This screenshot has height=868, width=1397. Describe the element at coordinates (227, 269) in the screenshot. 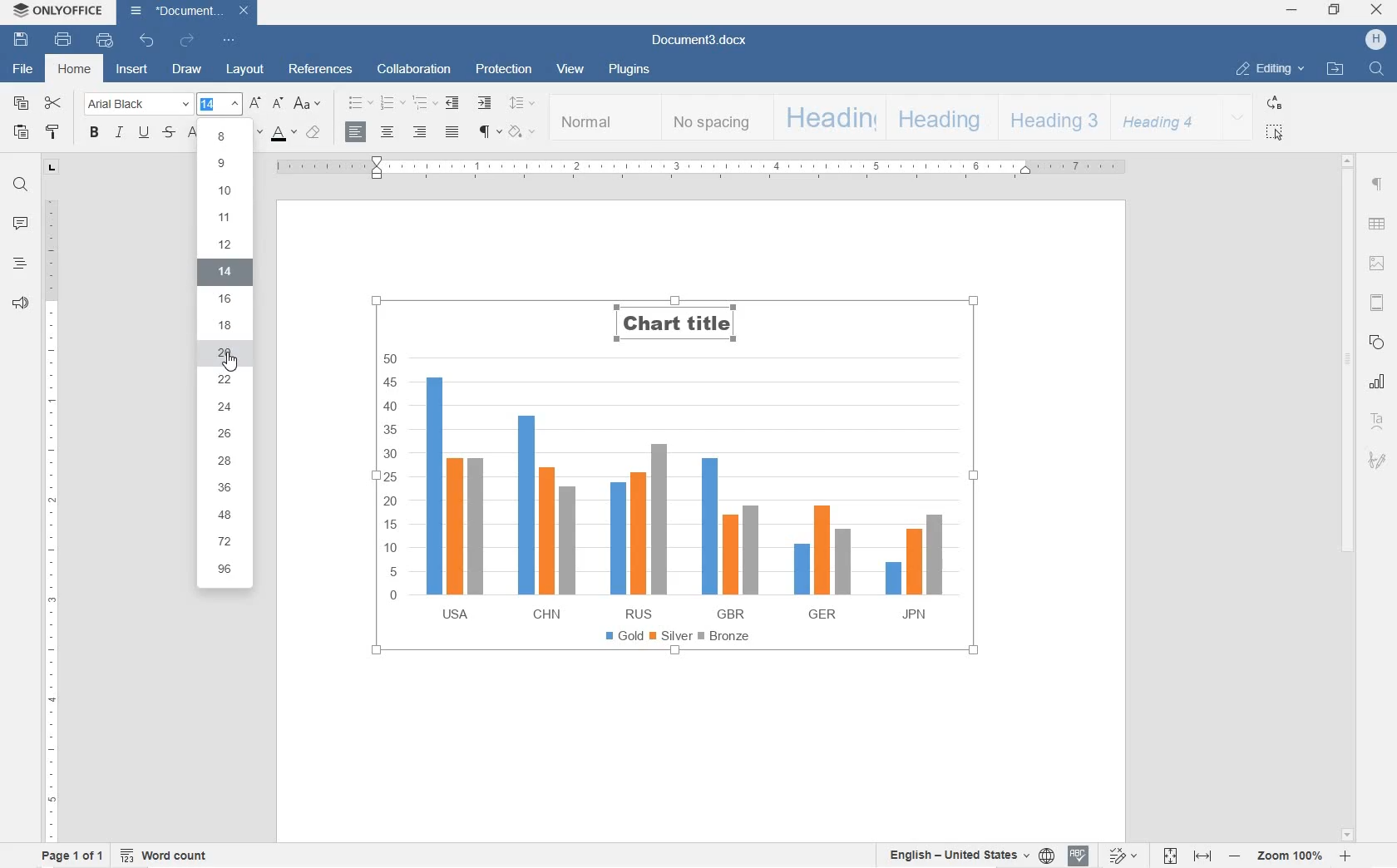

I see `14` at that location.